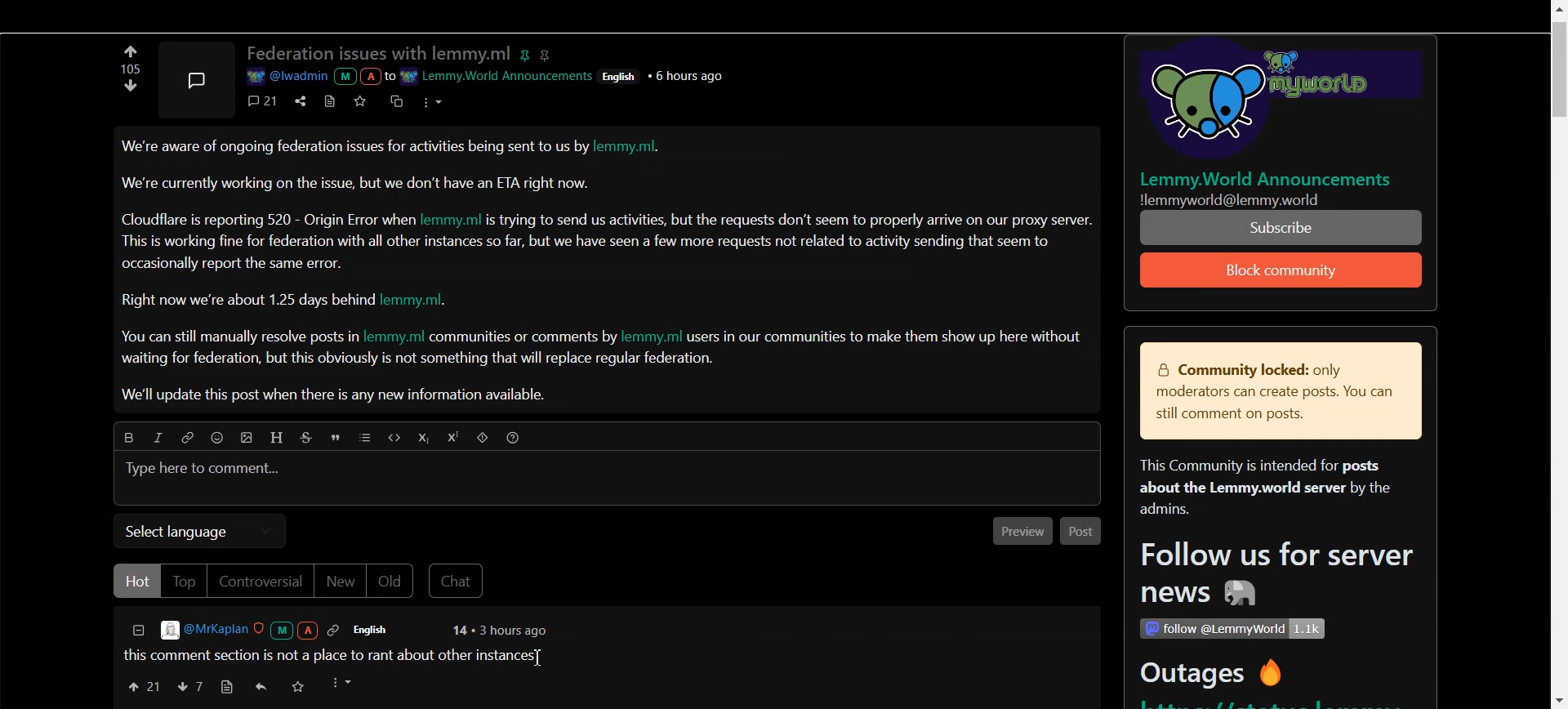 Image resolution: width=1568 pixels, height=709 pixels. Describe the element at coordinates (1282, 270) in the screenshot. I see `Subscribe` at that location.